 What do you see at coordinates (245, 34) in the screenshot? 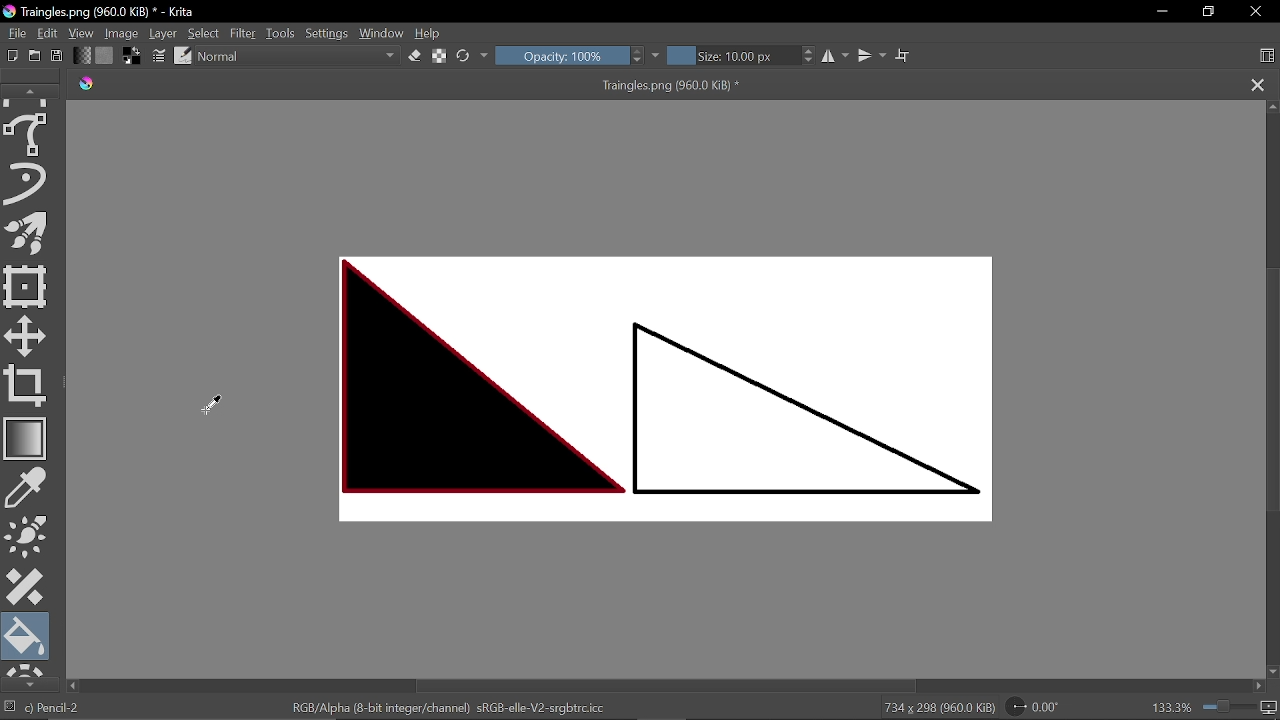
I see `Filter` at bounding box center [245, 34].